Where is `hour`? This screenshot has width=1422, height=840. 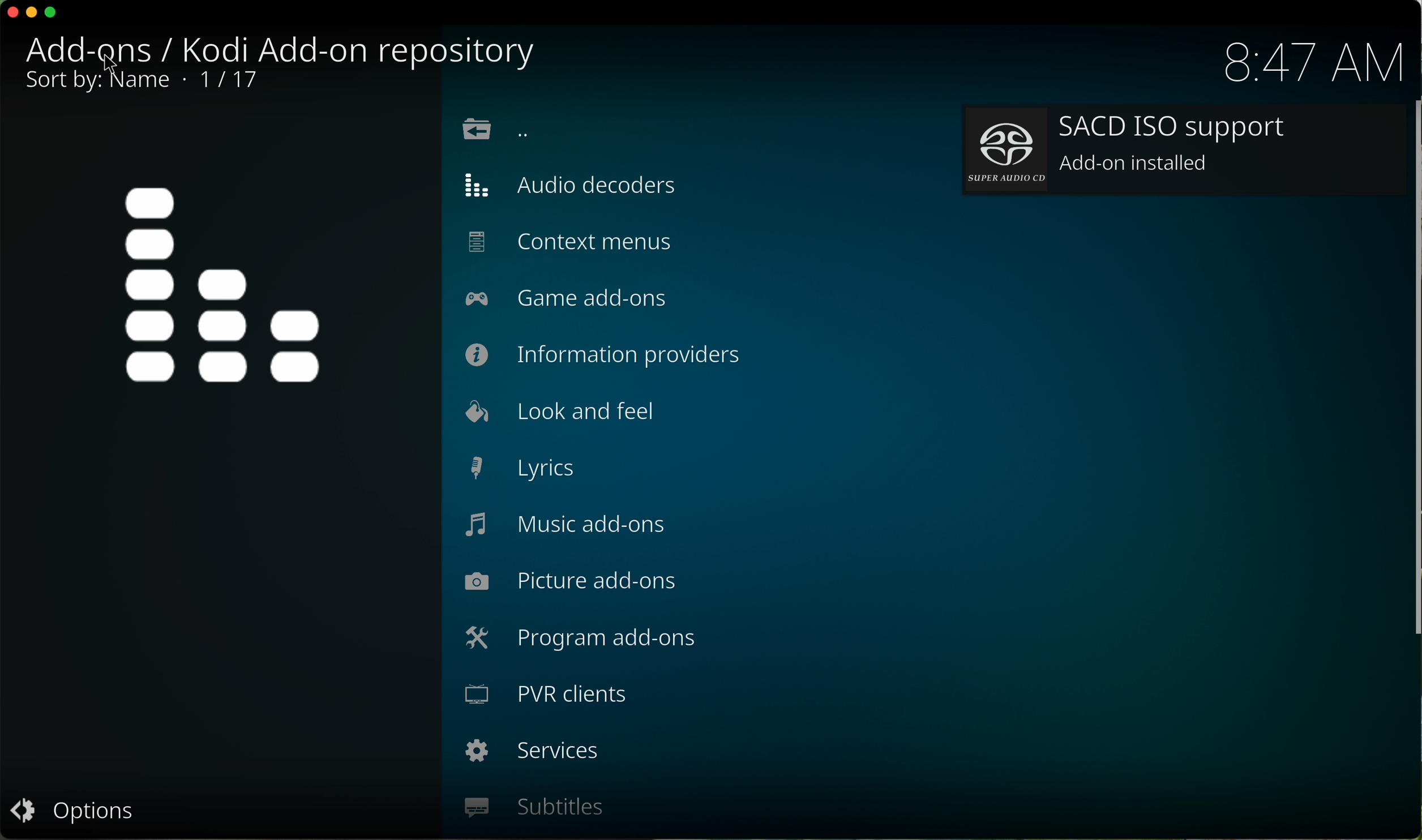 hour is located at coordinates (1312, 62).